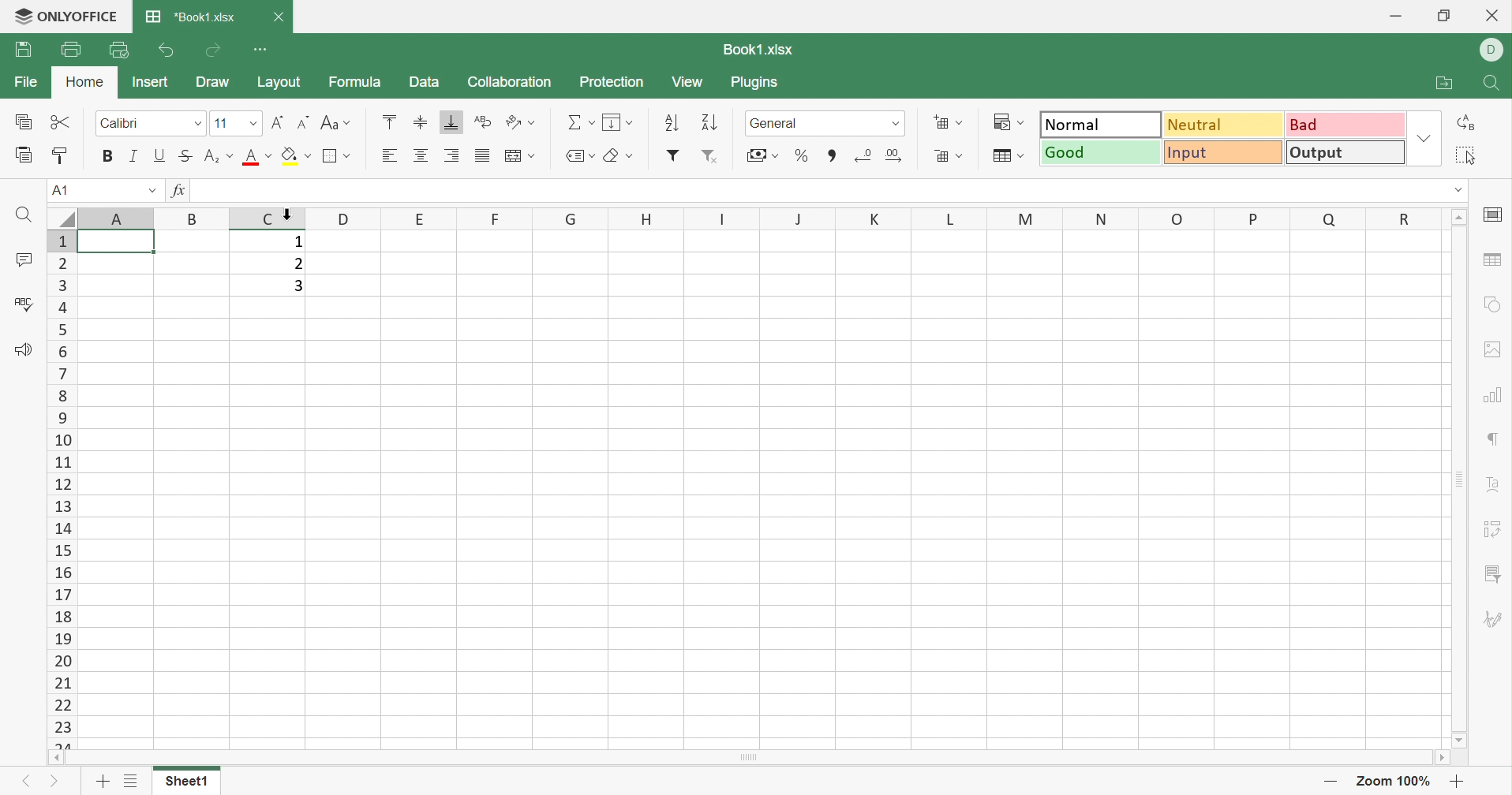 This screenshot has height=795, width=1512. What do you see at coordinates (591, 123) in the screenshot?
I see `Drop Down` at bounding box center [591, 123].